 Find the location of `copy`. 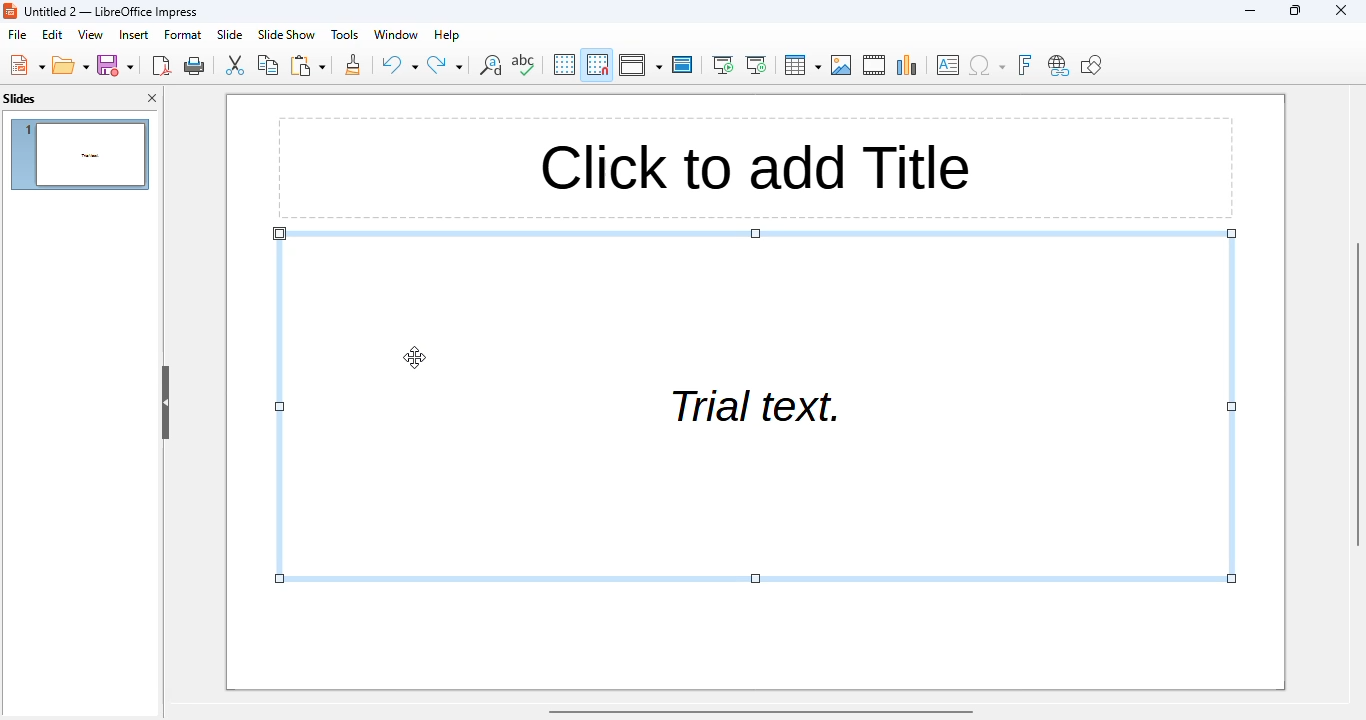

copy is located at coordinates (269, 65).